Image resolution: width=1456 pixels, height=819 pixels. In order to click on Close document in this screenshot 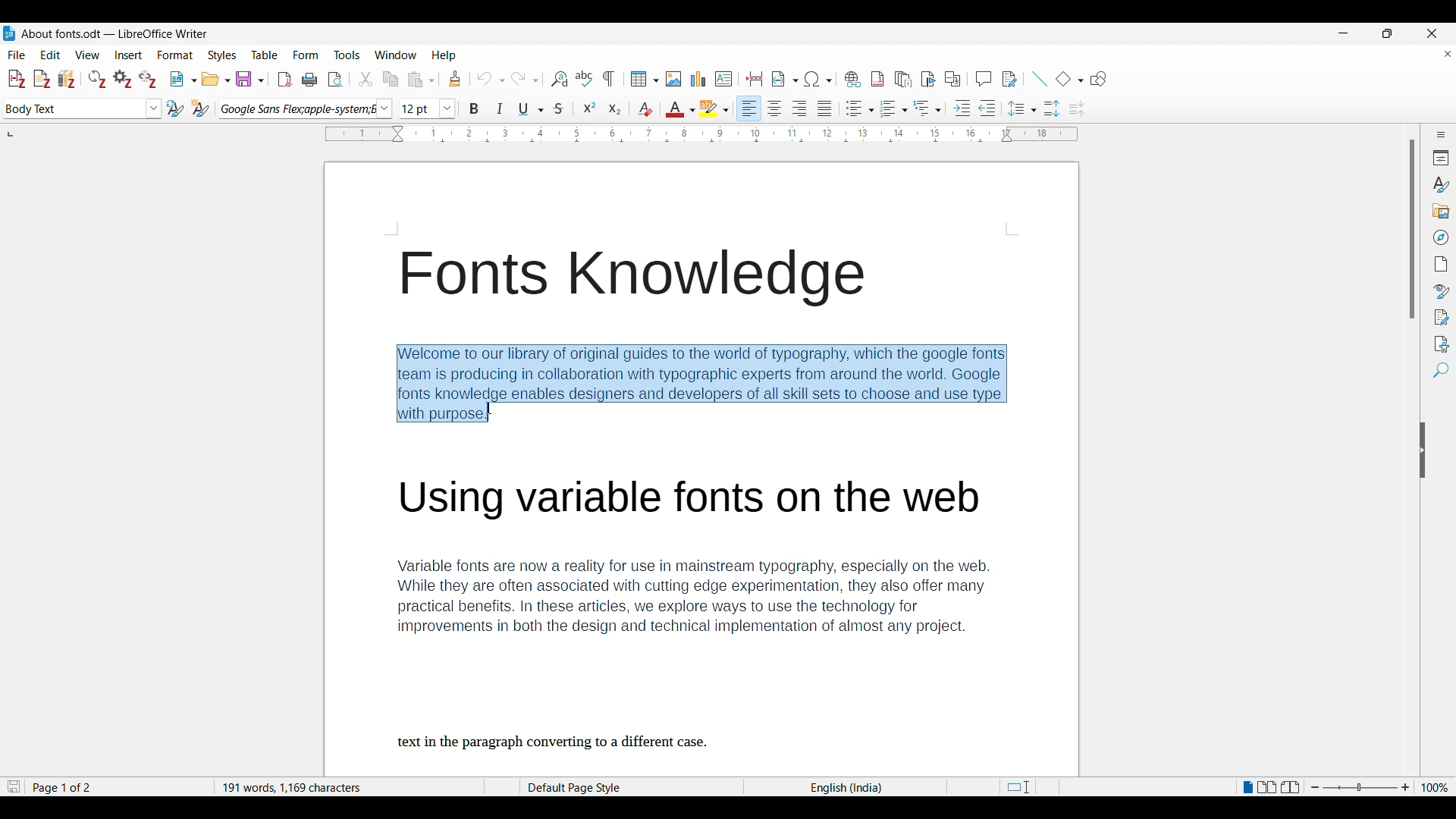, I will do `click(1448, 54)`.